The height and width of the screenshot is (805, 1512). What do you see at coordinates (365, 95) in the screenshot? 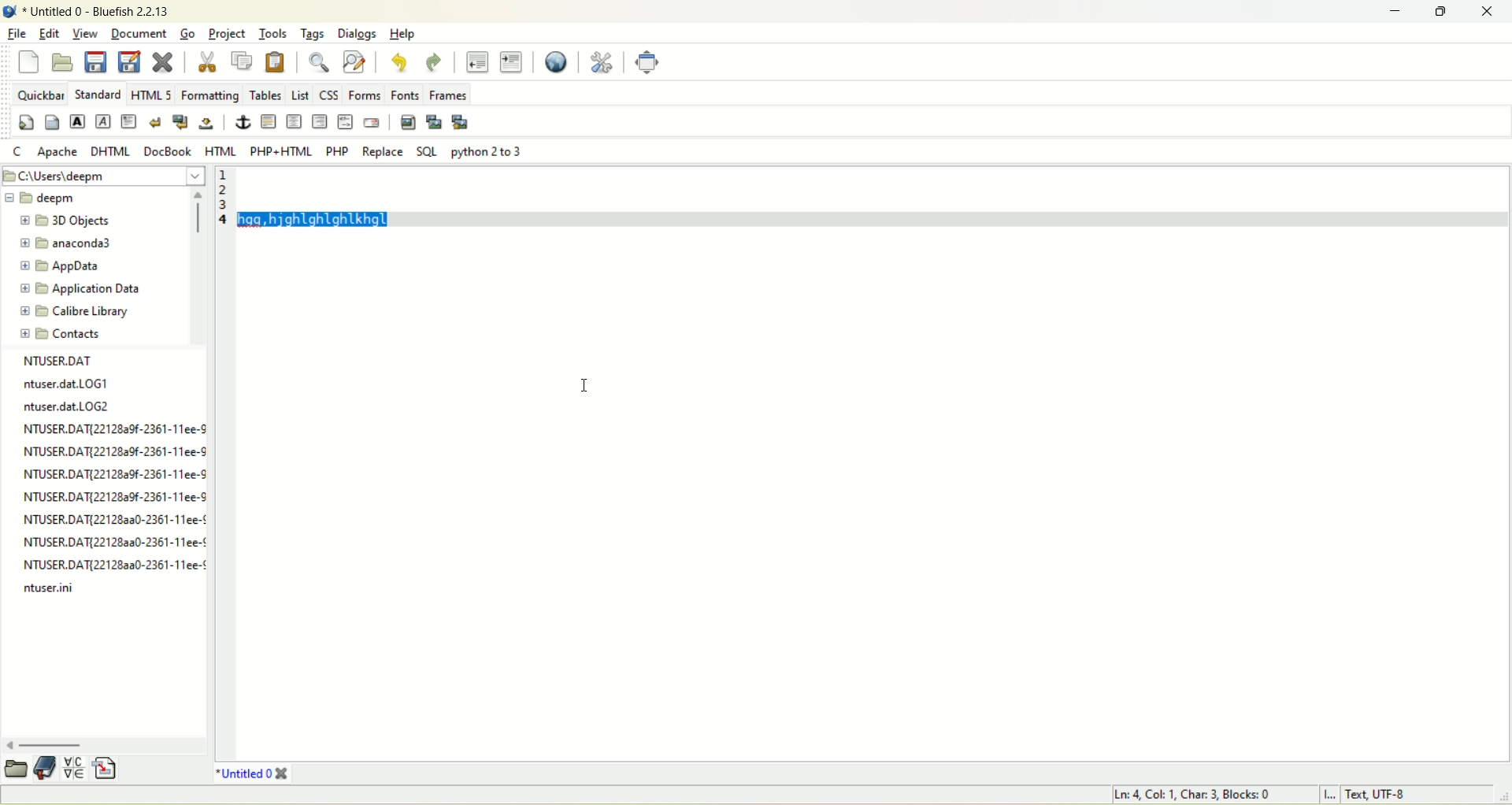
I see `forms` at bounding box center [365, 95].